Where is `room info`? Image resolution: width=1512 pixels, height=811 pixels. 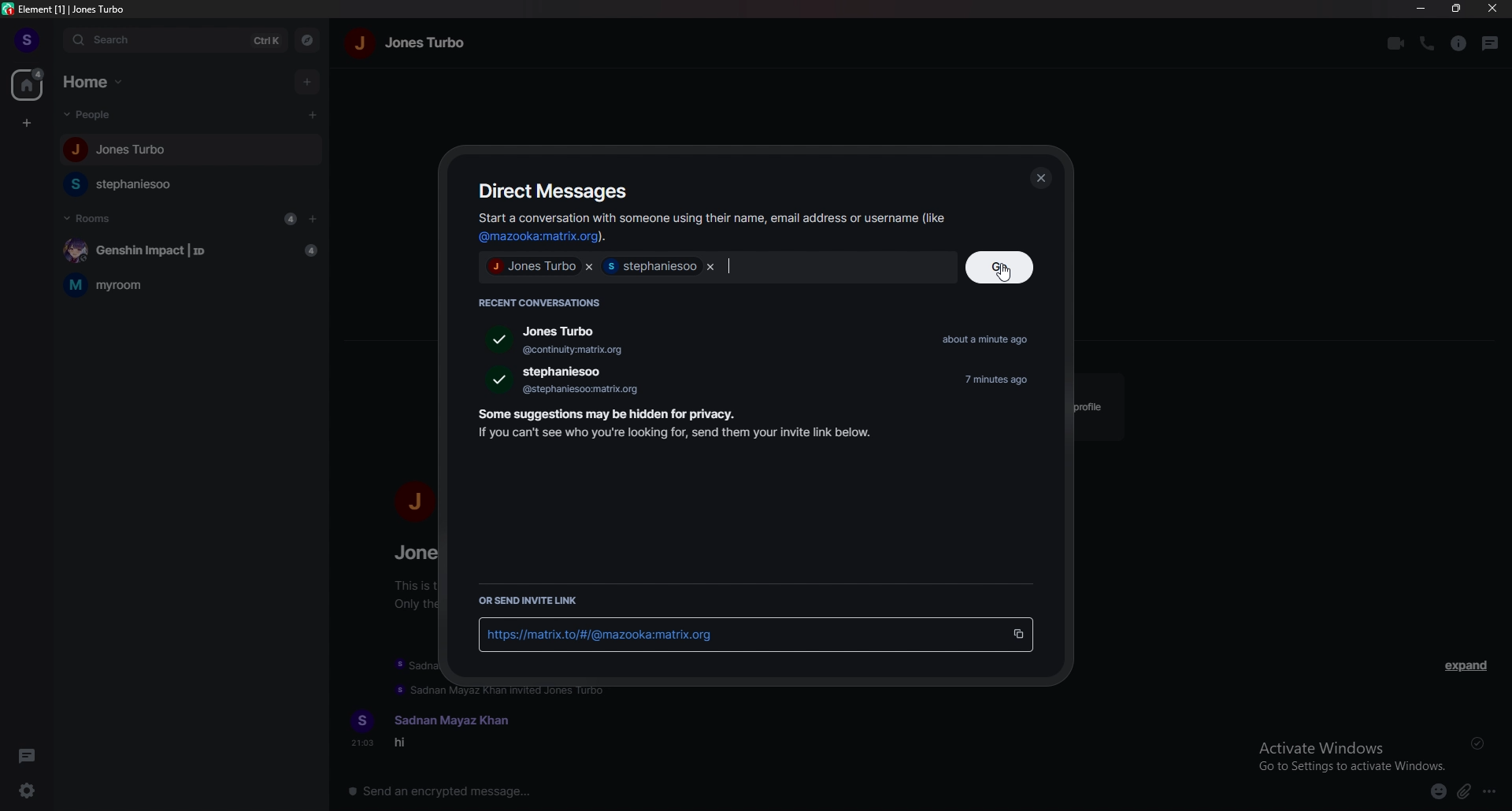
room info is located at coordinates (1459, 44).